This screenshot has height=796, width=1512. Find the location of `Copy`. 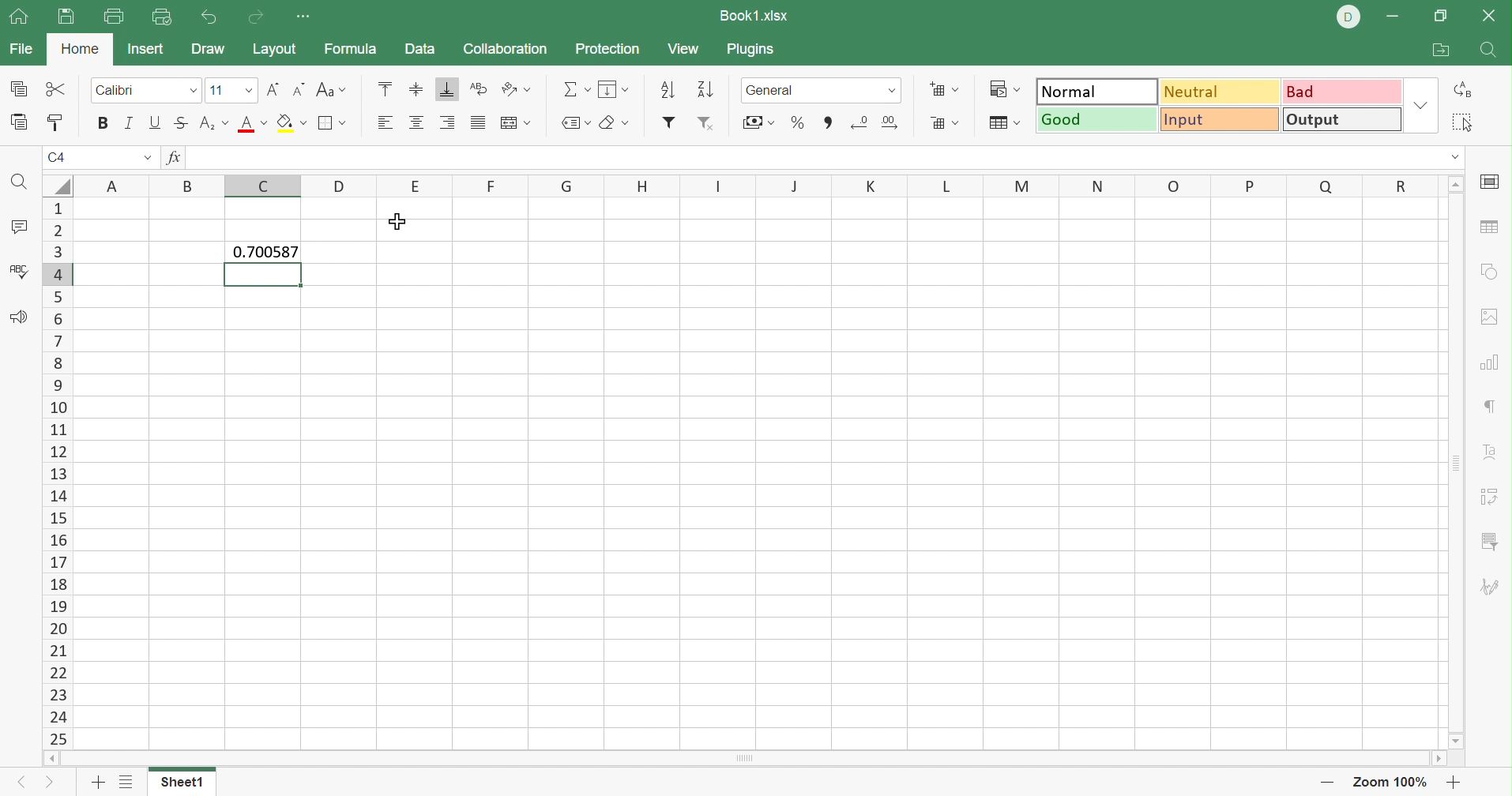

Copy is located at coordinates (20, 88).